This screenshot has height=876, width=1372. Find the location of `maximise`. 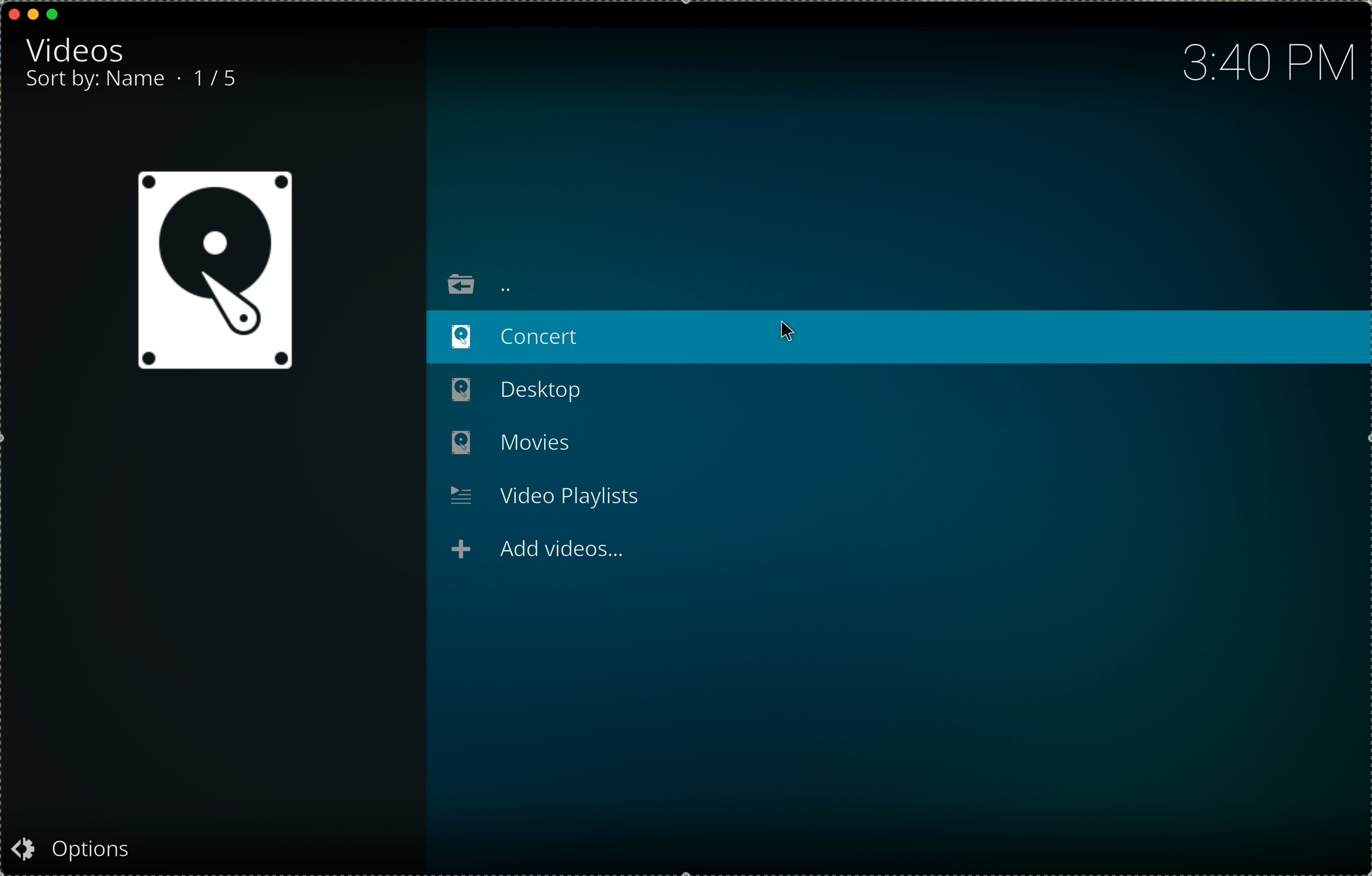

maximise is located at coordinates (54, 14).